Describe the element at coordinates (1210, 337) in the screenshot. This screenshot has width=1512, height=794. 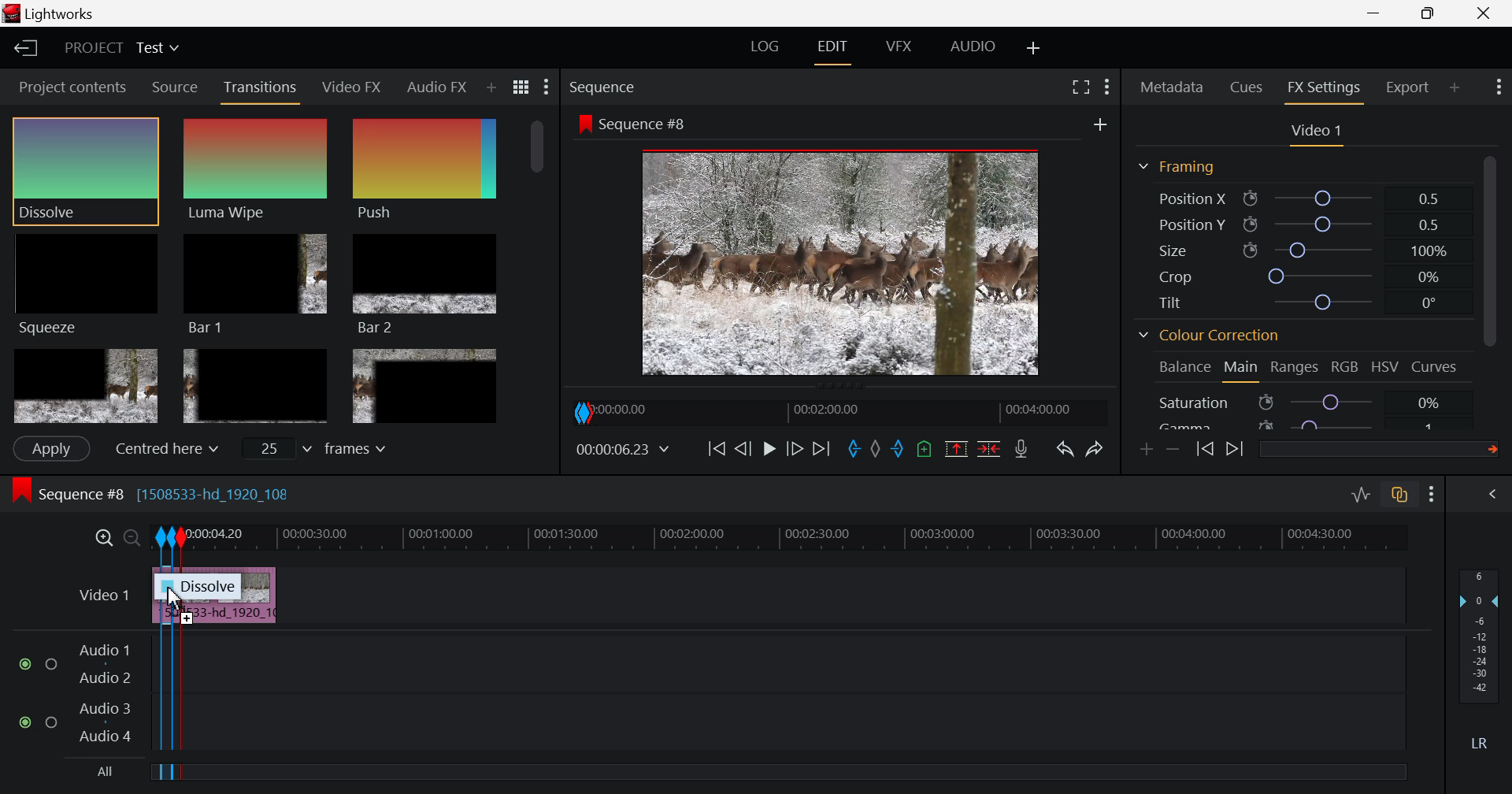
I see `Colour Correction Section` at that location.